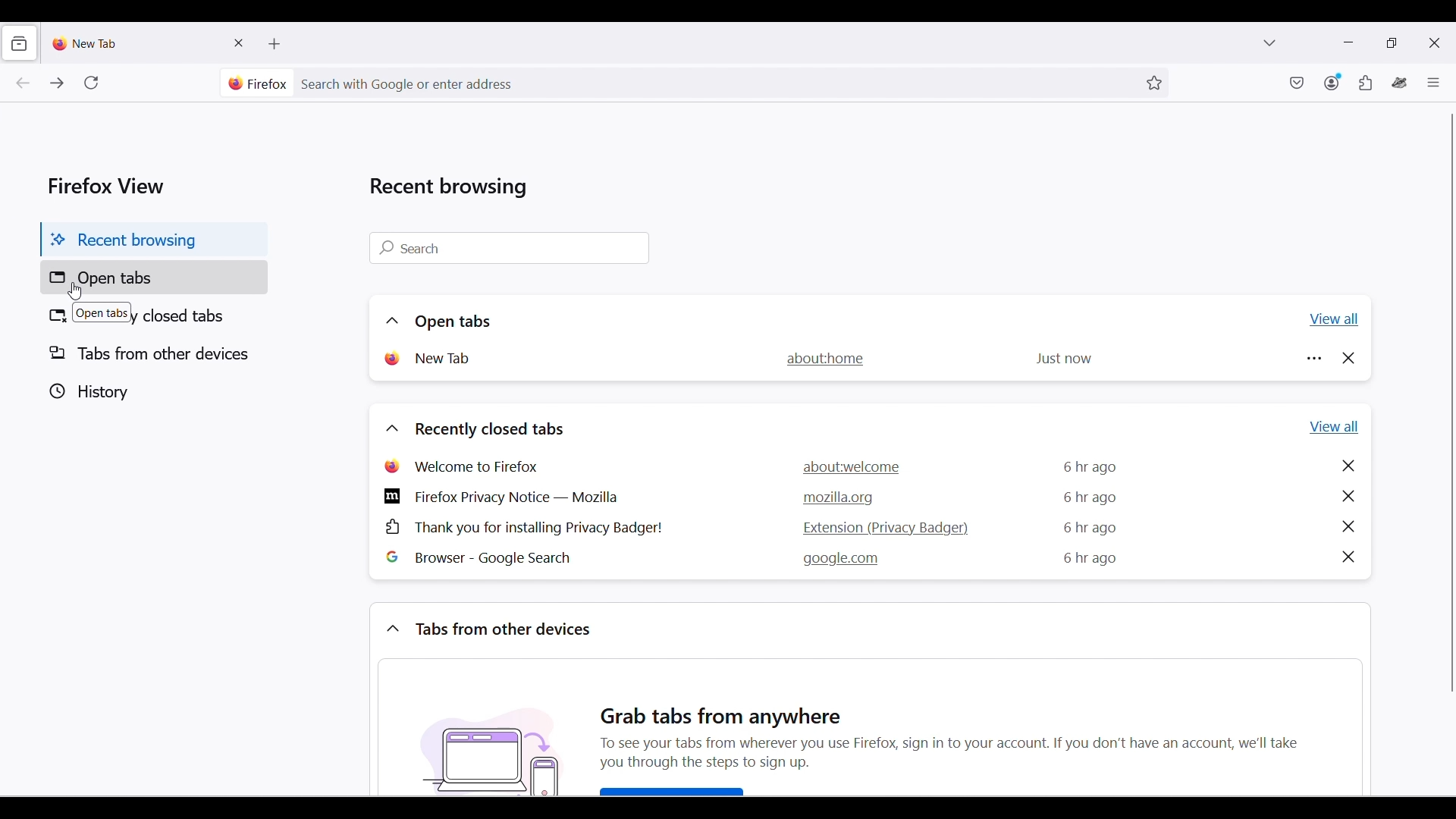 This screenshot has height=819, width=1456. Describe the element at coordinates (449, 187) in the screenshot. I see `Page title - Recent browsing` at that location.